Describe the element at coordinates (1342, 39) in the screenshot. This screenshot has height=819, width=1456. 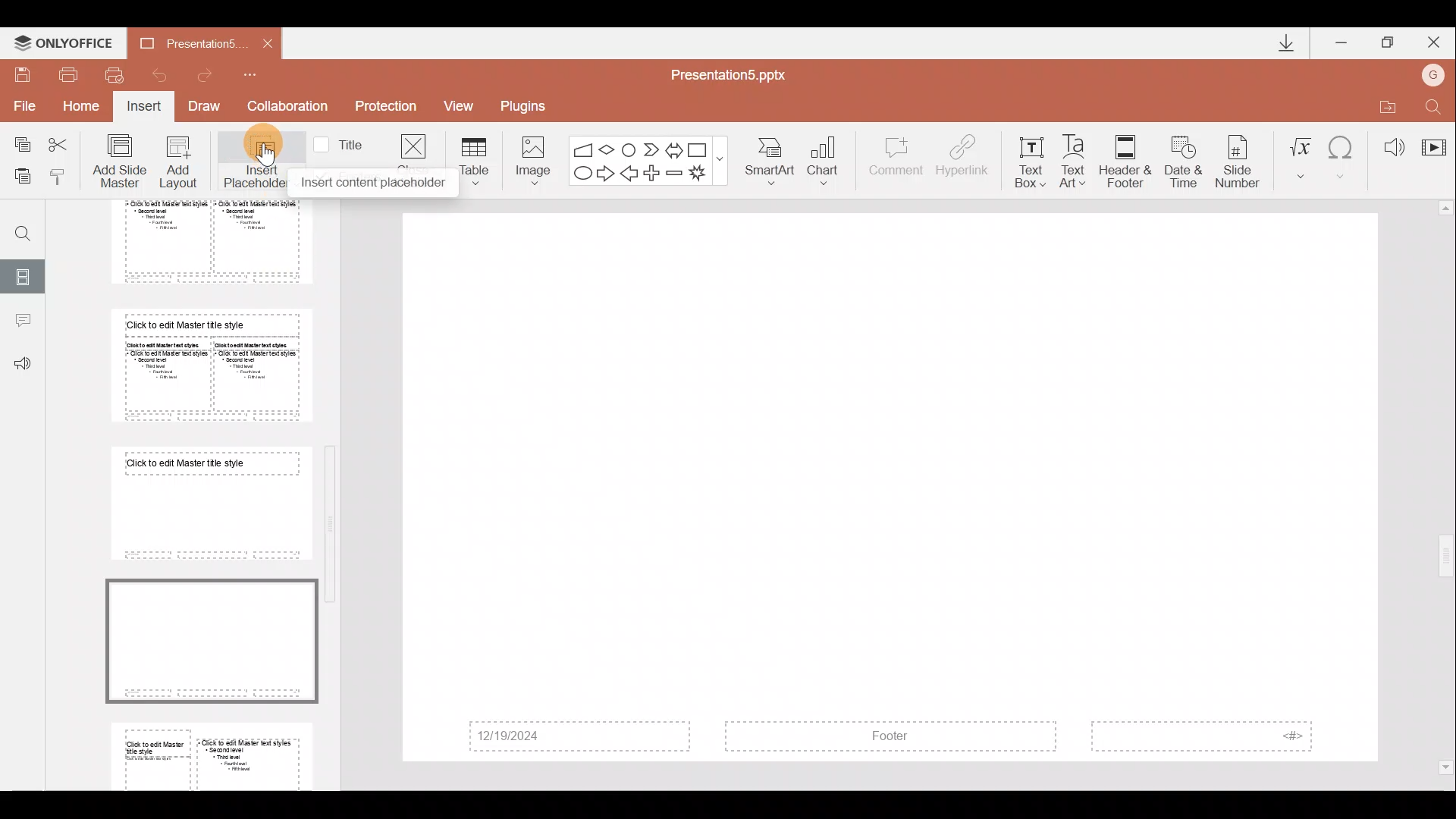
I see `Minimize` at that location.